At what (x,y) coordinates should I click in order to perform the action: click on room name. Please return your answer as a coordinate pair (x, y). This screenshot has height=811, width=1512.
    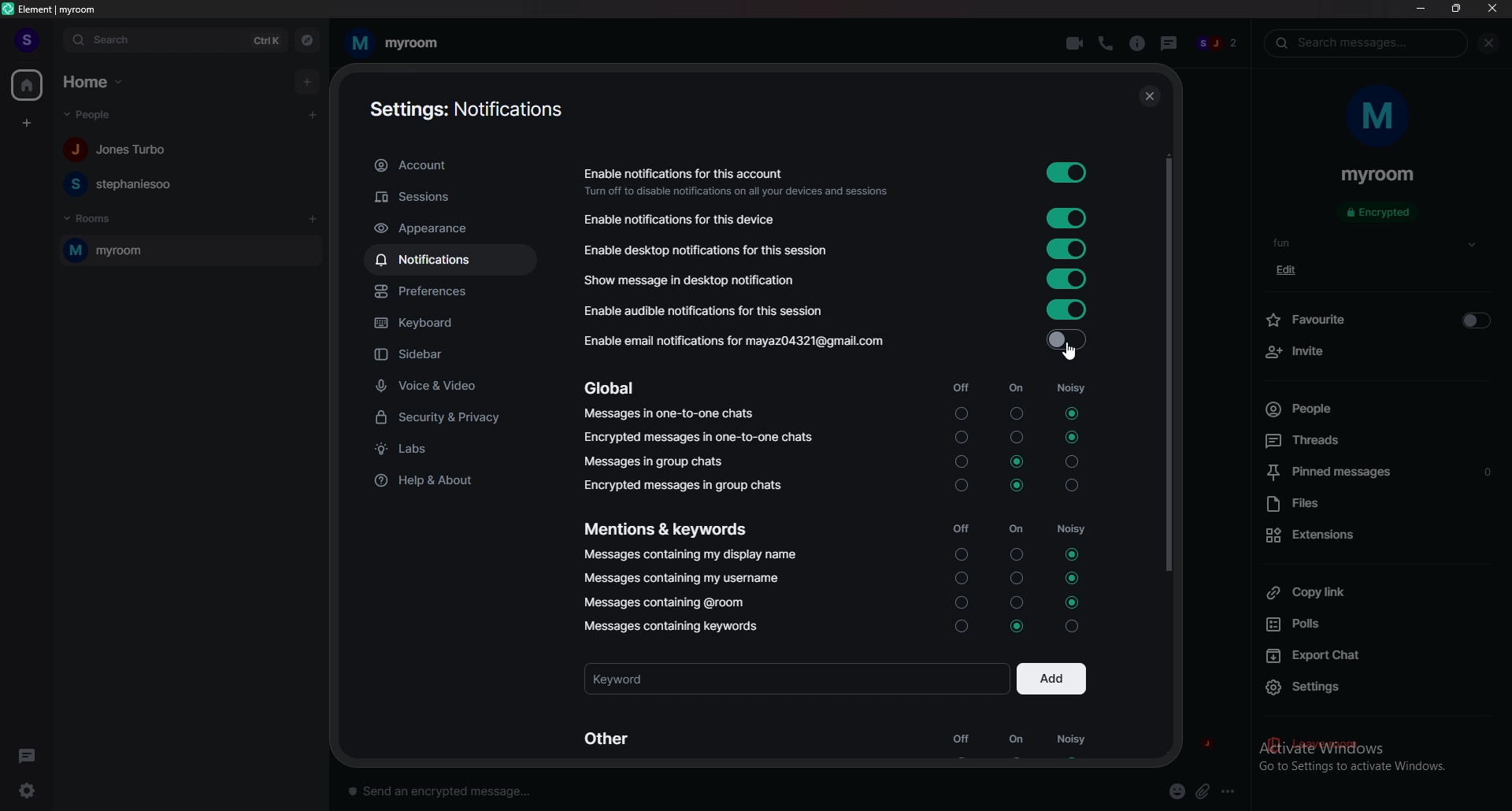
    Looking at the image, I should click on (394, 43).